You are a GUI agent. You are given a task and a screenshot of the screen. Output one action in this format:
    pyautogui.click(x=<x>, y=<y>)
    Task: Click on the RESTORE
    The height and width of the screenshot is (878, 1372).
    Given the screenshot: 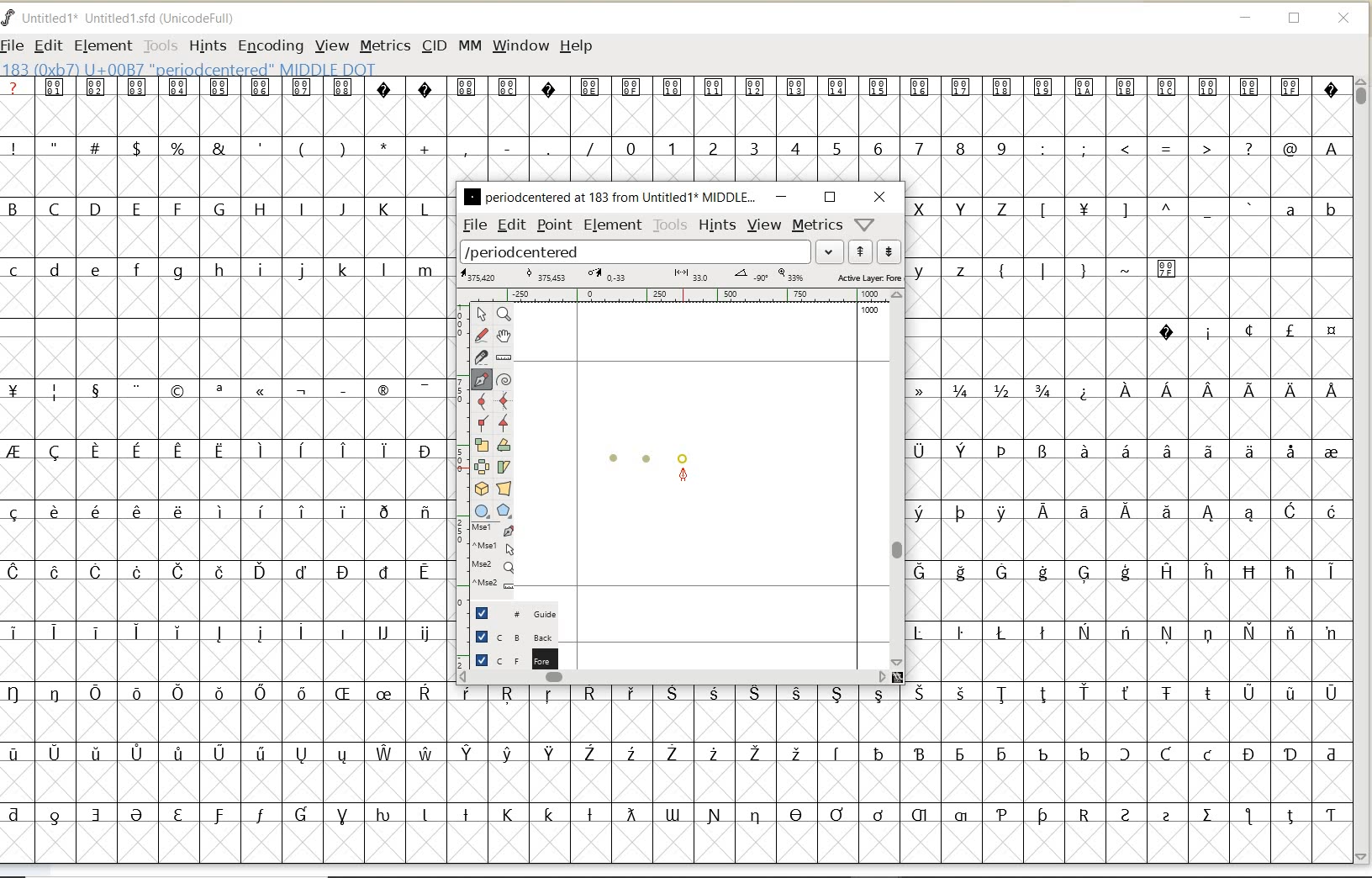 What is the action you would take?
    pyautogui.click(x=1295, y=21)
    